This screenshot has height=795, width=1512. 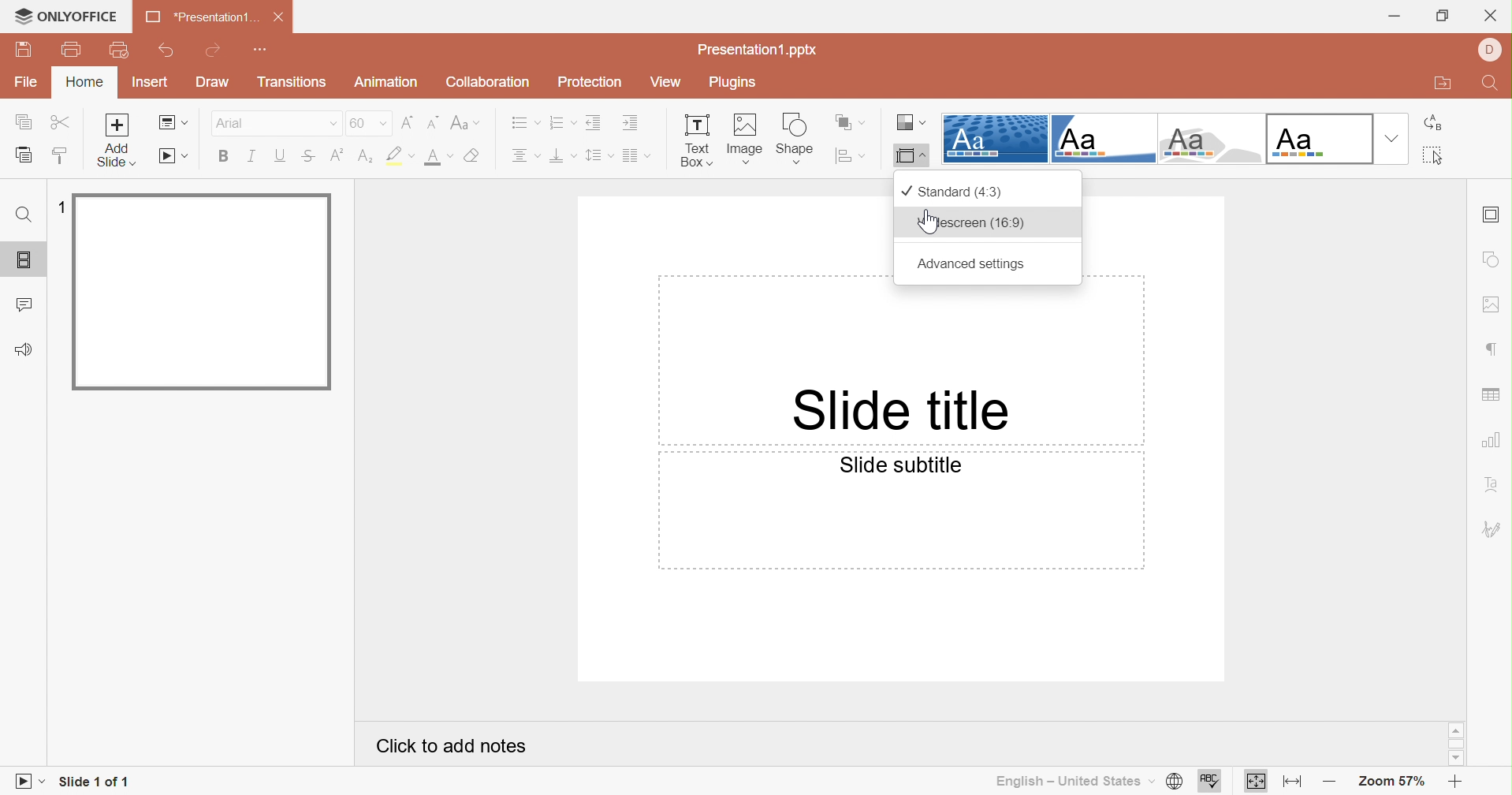 I want to click on Scroll up, so click(x=1455, y=729).